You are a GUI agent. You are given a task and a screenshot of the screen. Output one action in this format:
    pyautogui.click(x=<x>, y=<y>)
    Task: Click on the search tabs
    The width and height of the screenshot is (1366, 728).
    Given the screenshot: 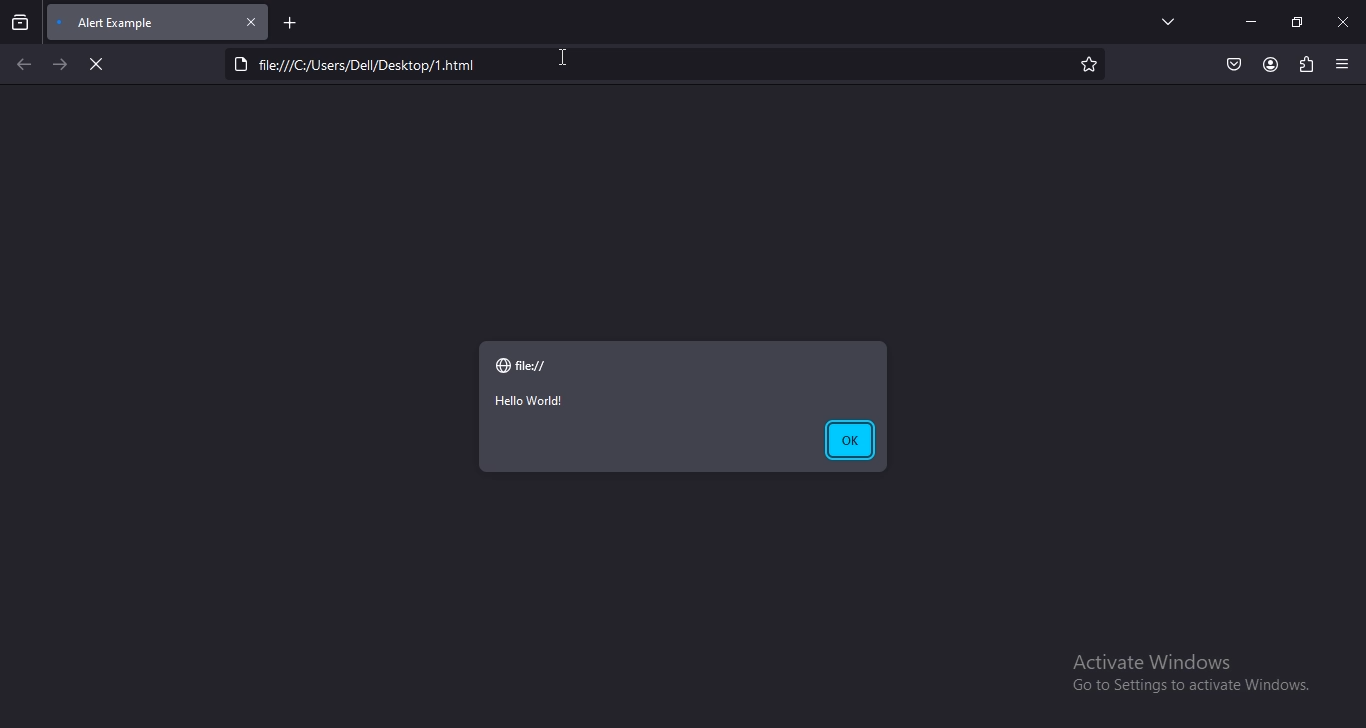 What is the action you would take?
    pyautogui.click(x=20, y=24)
    